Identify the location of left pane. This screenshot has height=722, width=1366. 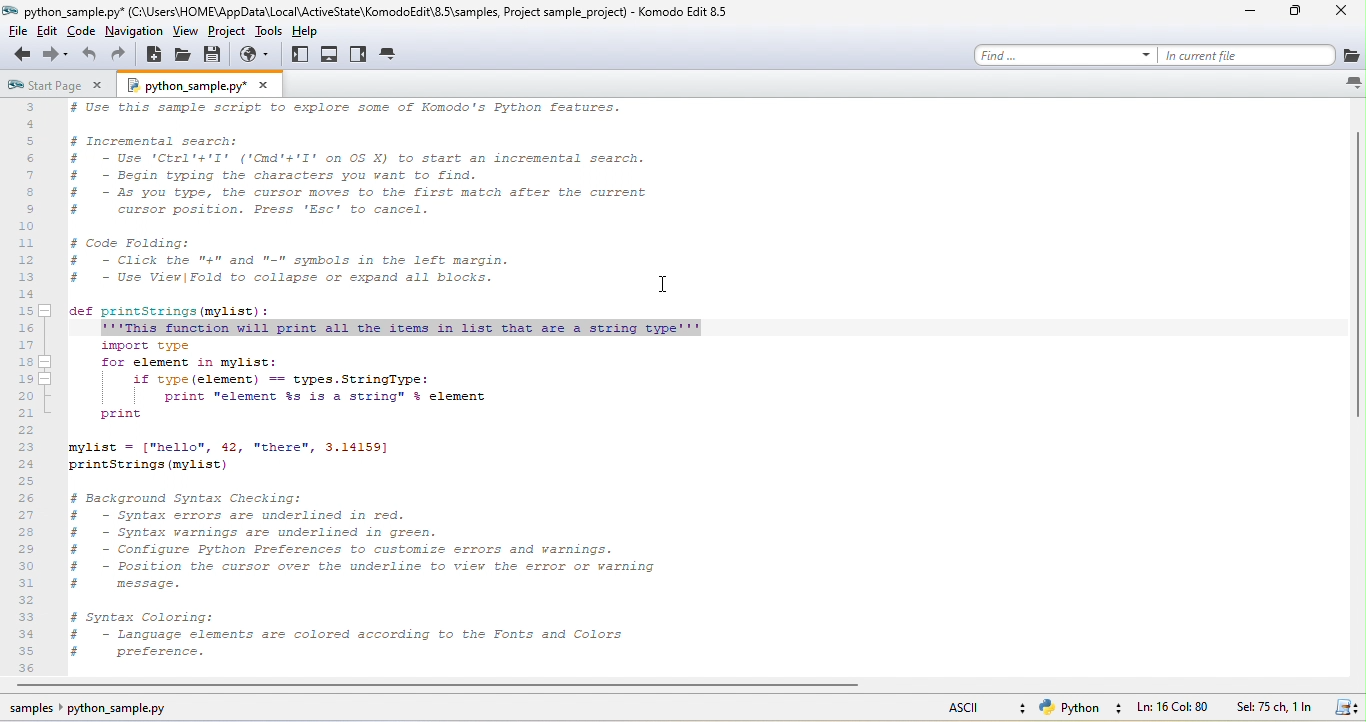
(299, 60).